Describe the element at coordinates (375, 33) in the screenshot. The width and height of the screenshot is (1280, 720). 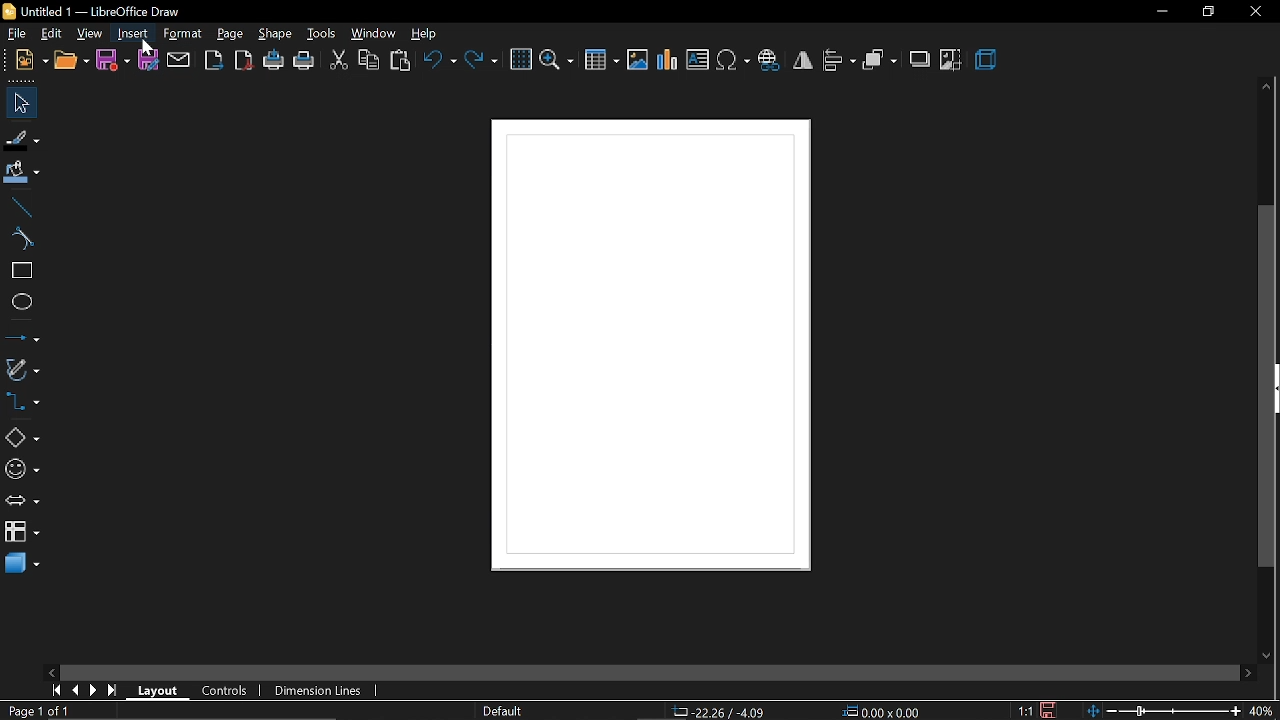
I see `window` at that location.